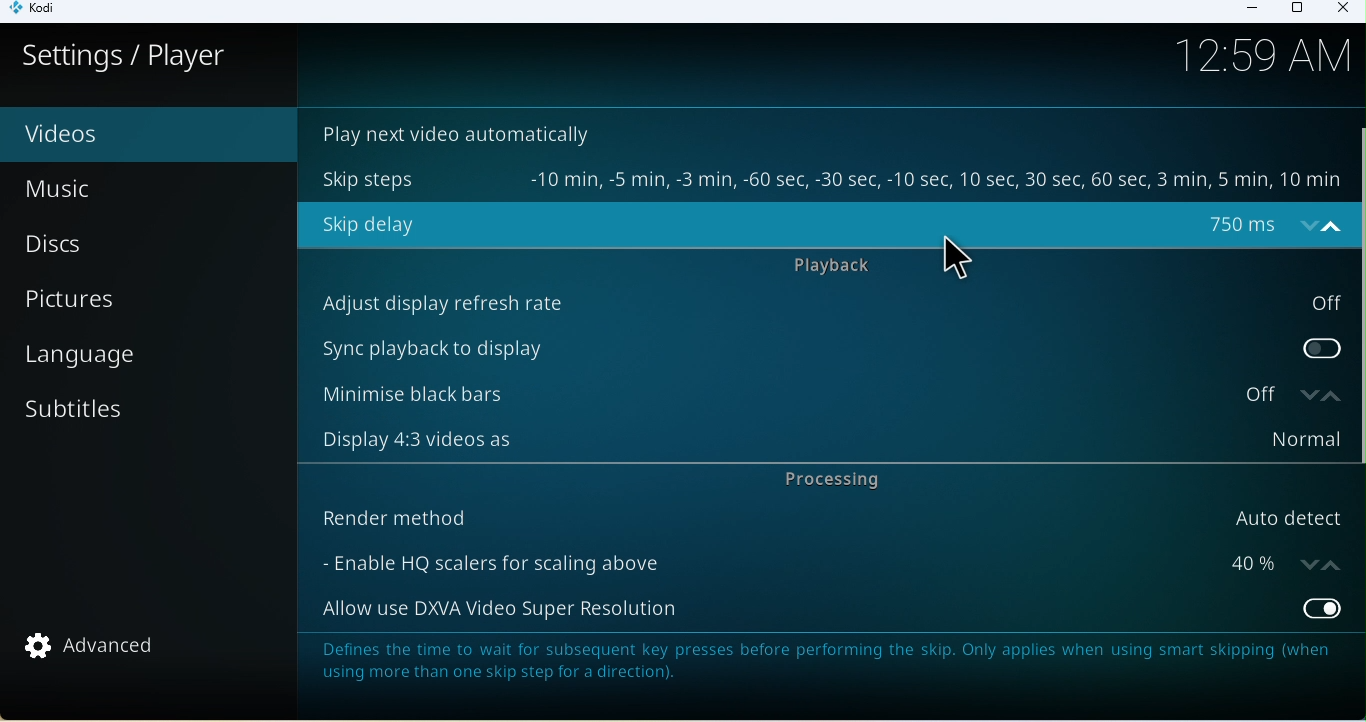  What do you see at coordinates (127, 416) in the screenshot?
I see `Subtitles` at bounding box center [127, 416].